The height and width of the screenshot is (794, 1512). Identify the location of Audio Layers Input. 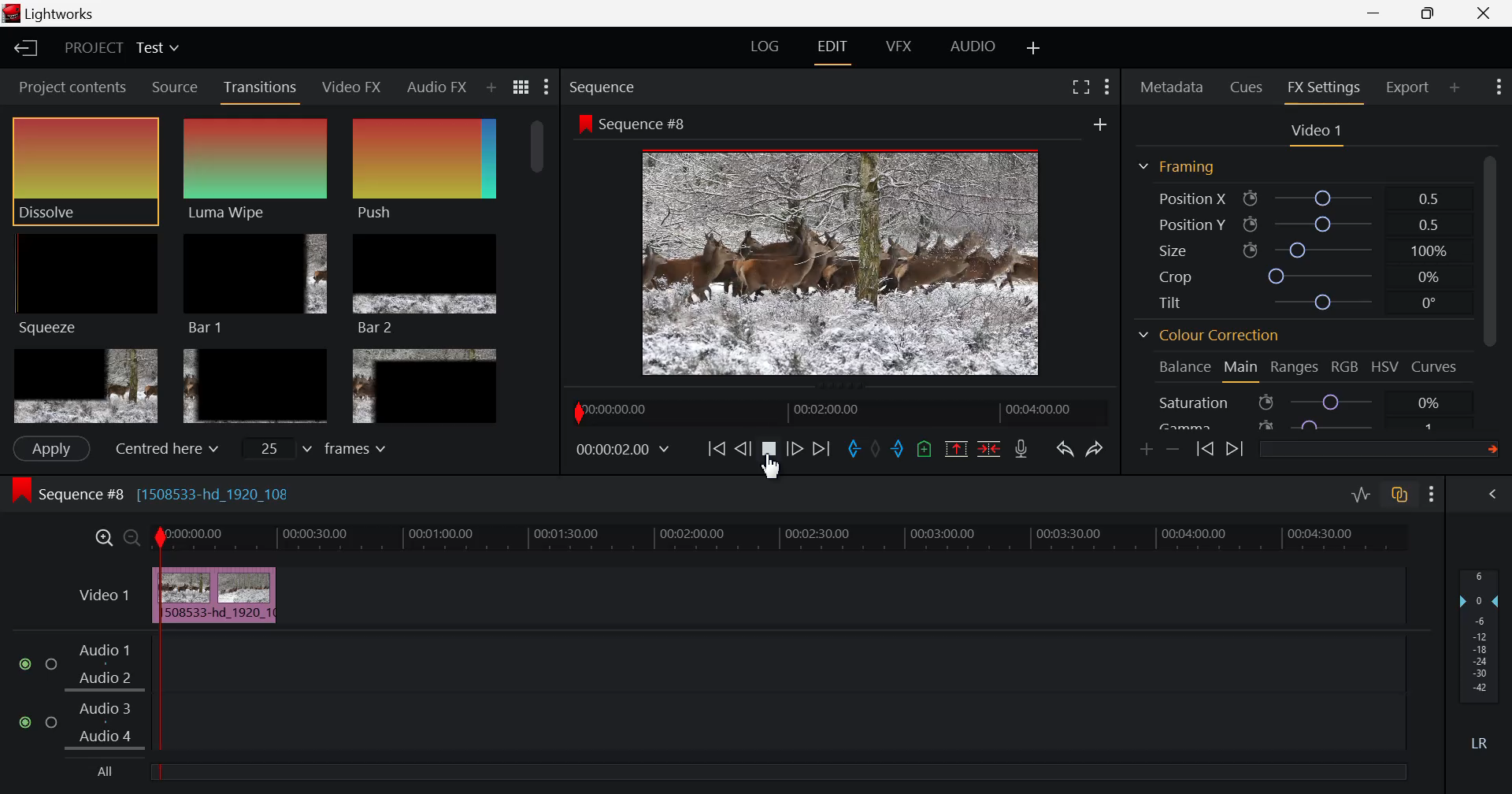
(710, 695).